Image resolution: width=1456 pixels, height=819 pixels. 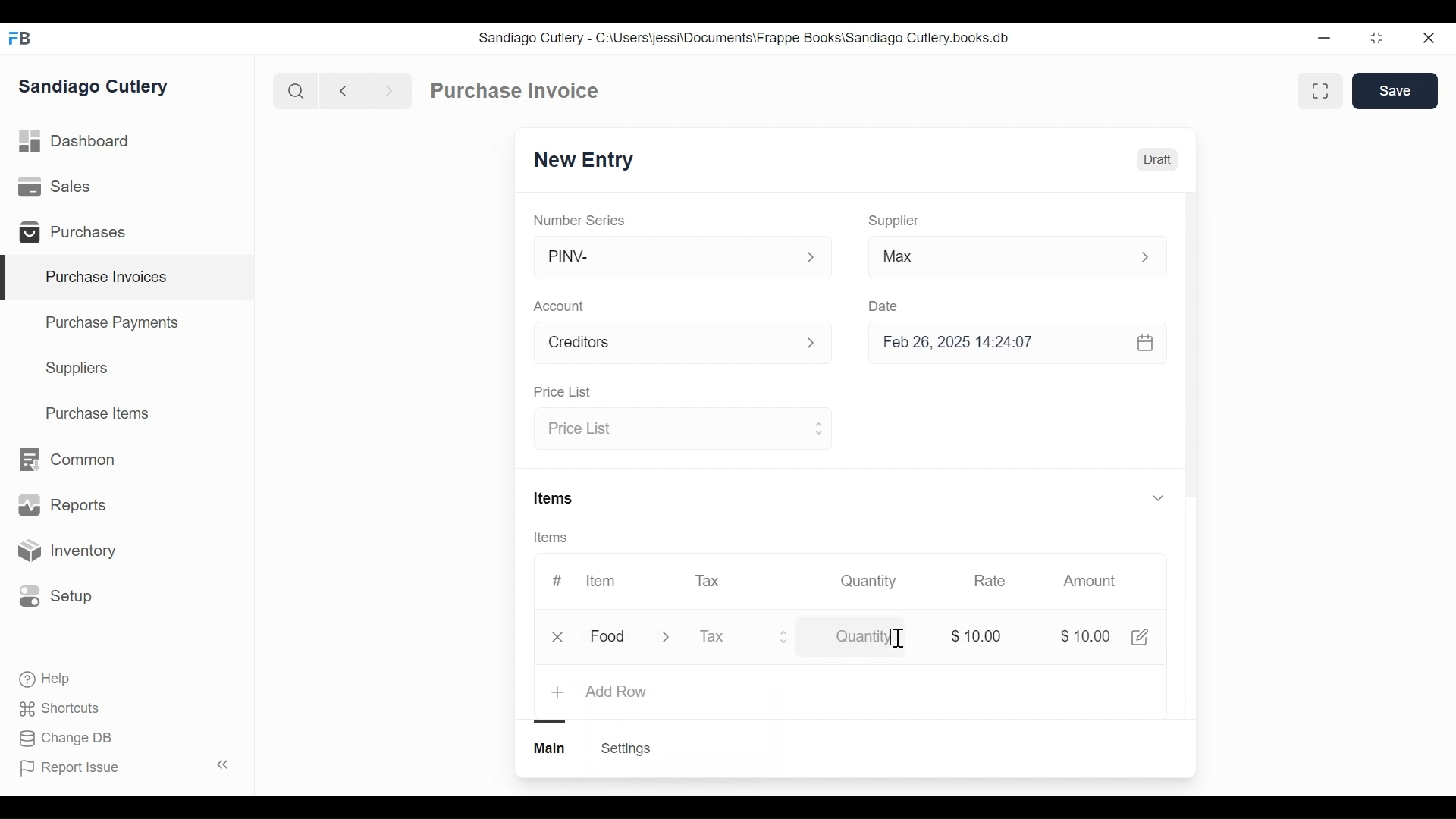 What do you see at coordinates (811, 258) in the screenshot?
I see `Expand` at bounding box center [811, 258].